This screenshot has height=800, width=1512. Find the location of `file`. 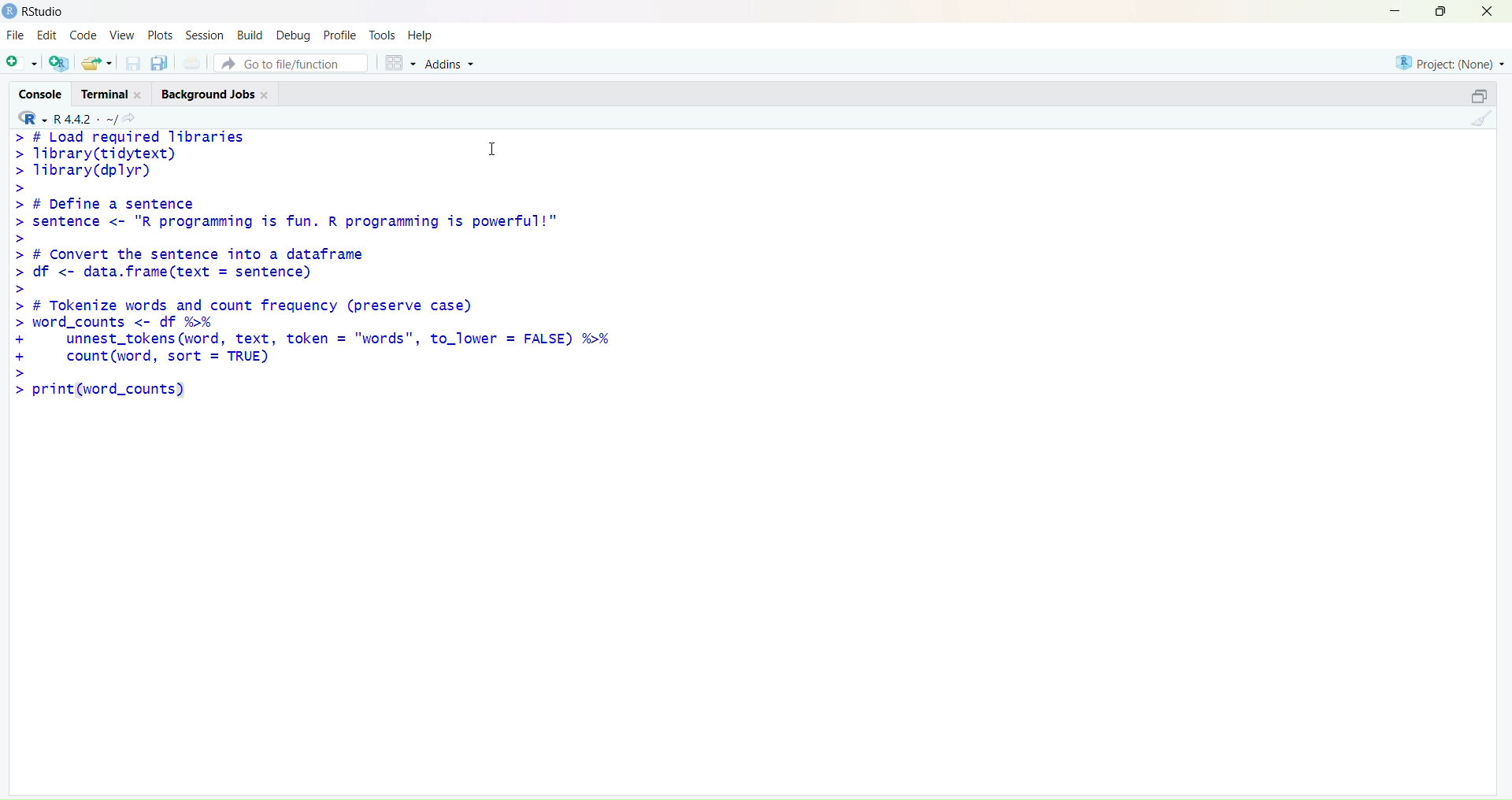

file is located at coordinates (17, 35).